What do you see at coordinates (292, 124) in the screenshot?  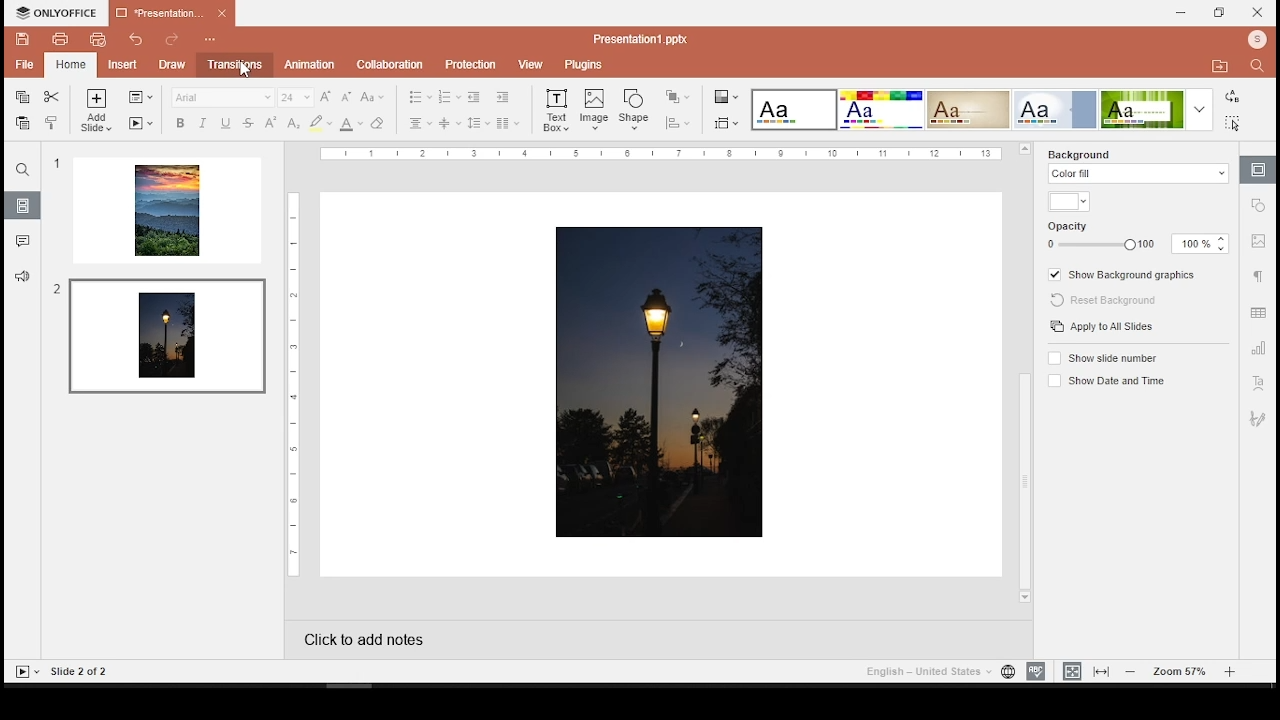 I see `subscript` at bounding box center [292, 124].